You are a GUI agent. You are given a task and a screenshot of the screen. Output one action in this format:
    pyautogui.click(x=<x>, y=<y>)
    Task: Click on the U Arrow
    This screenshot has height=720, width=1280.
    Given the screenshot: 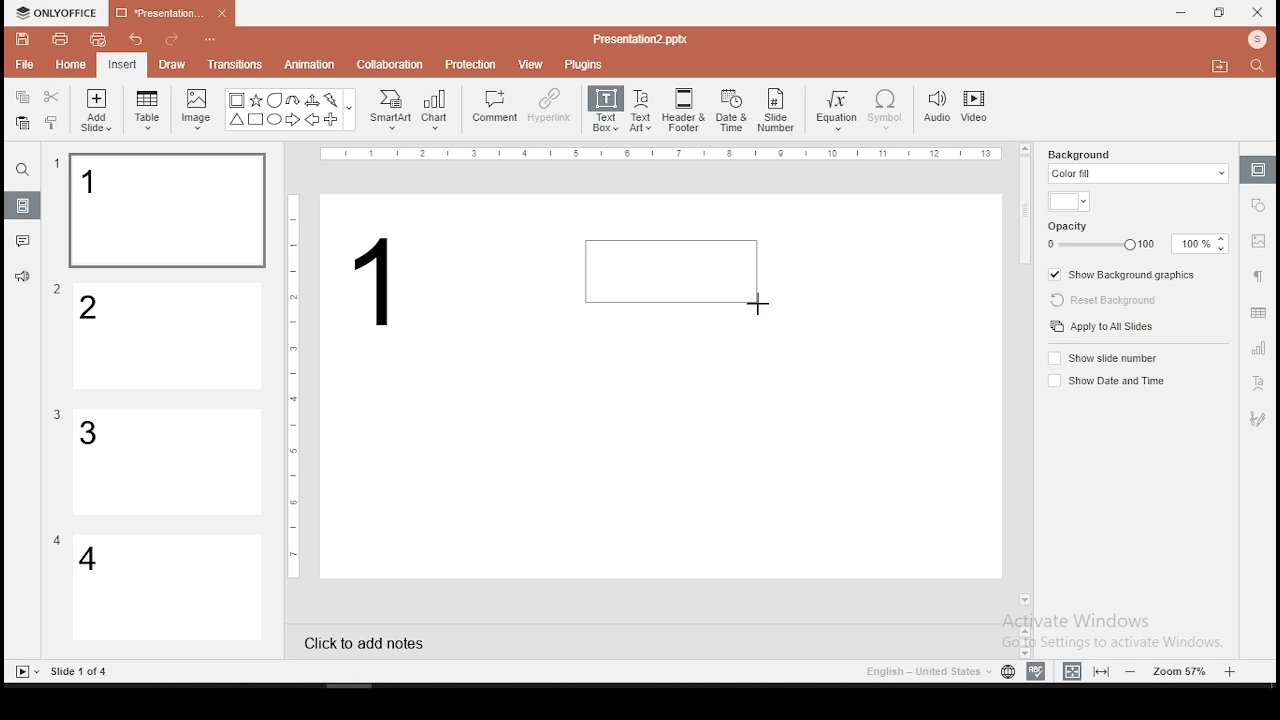 What is the action you would take?
    pyautogui.click(x=294, y=100)
    